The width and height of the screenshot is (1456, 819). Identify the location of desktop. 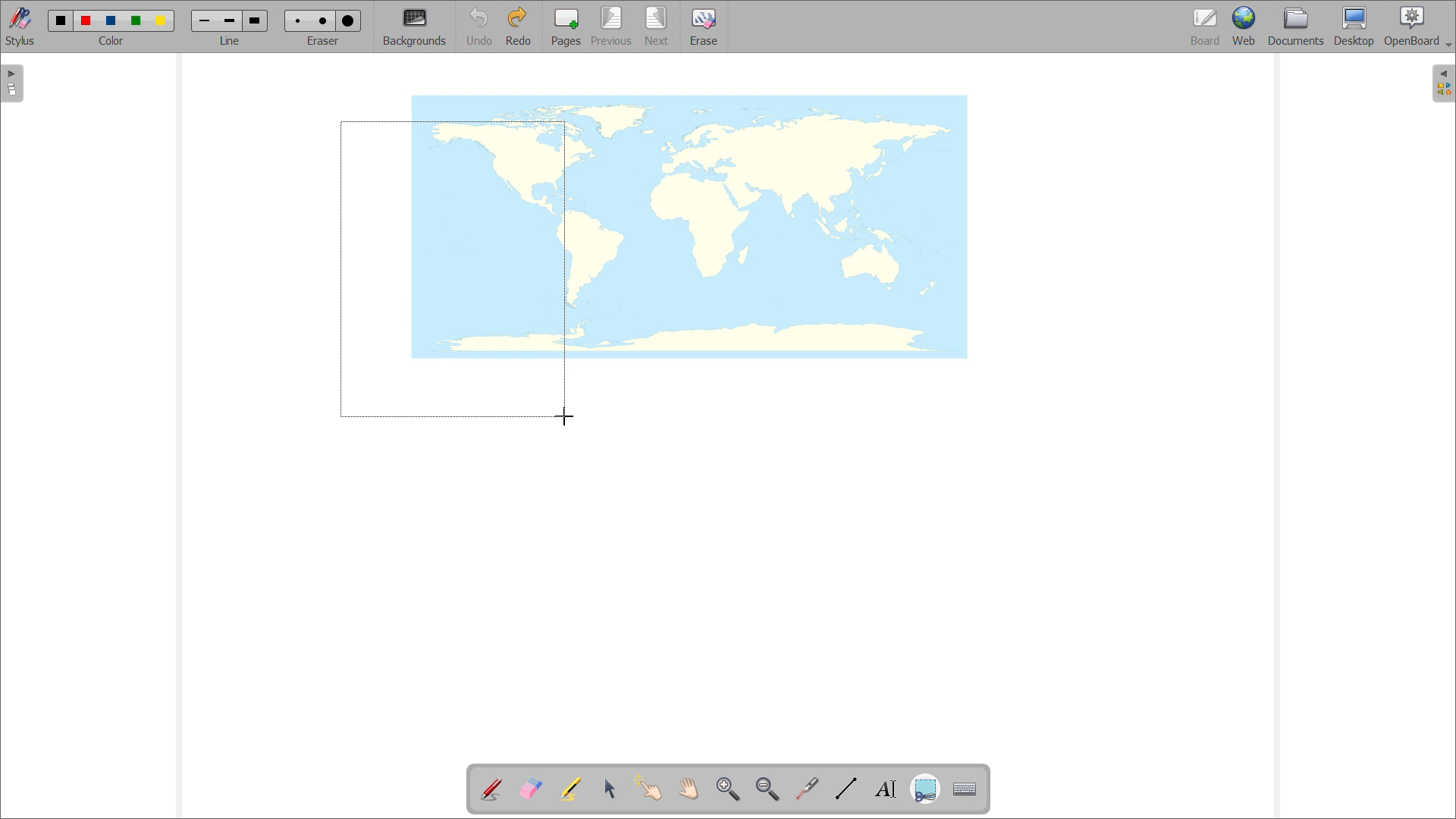
(1354, 26).